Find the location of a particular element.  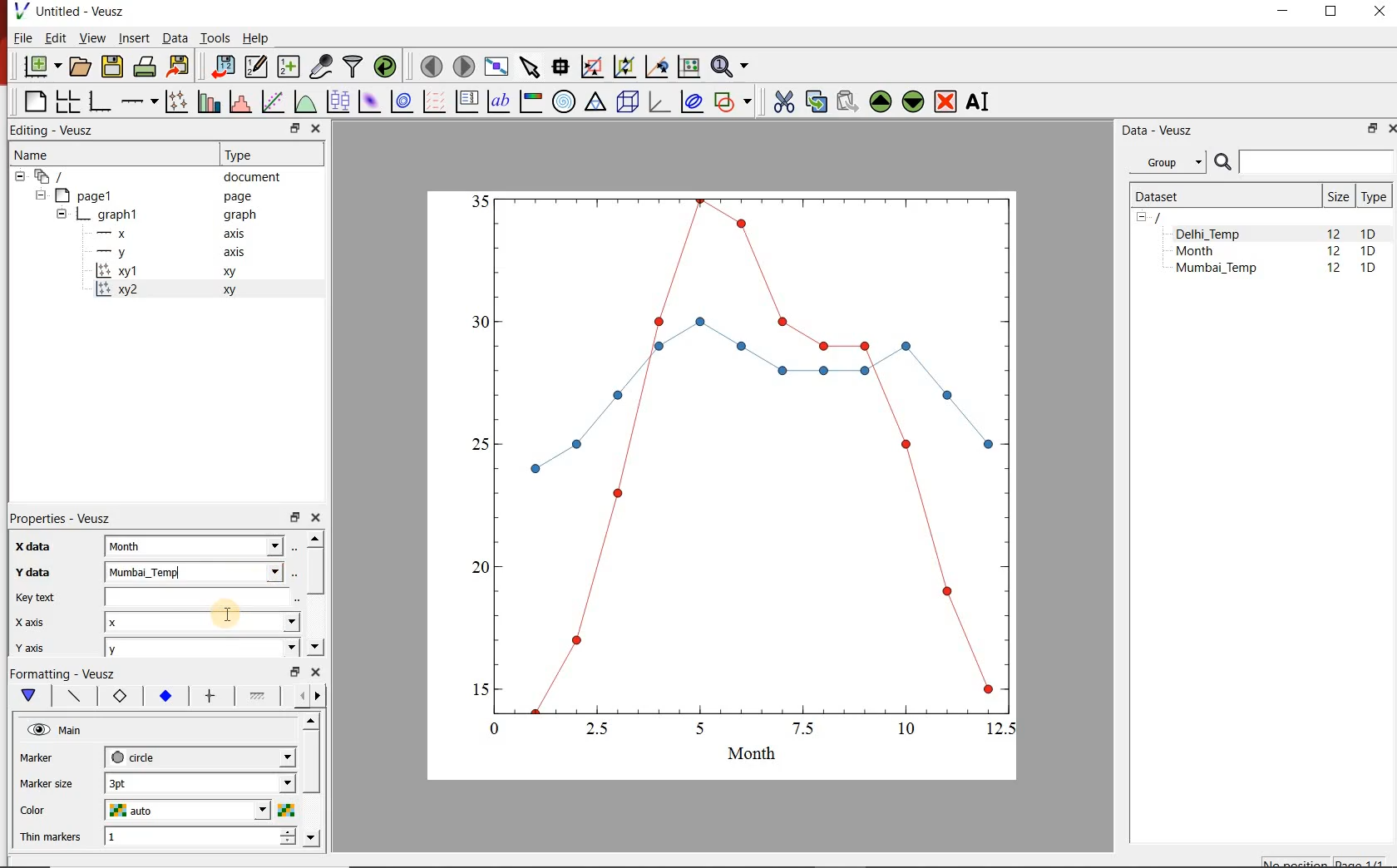

Mumbai_Temp is located at coordinates (1216, 269).